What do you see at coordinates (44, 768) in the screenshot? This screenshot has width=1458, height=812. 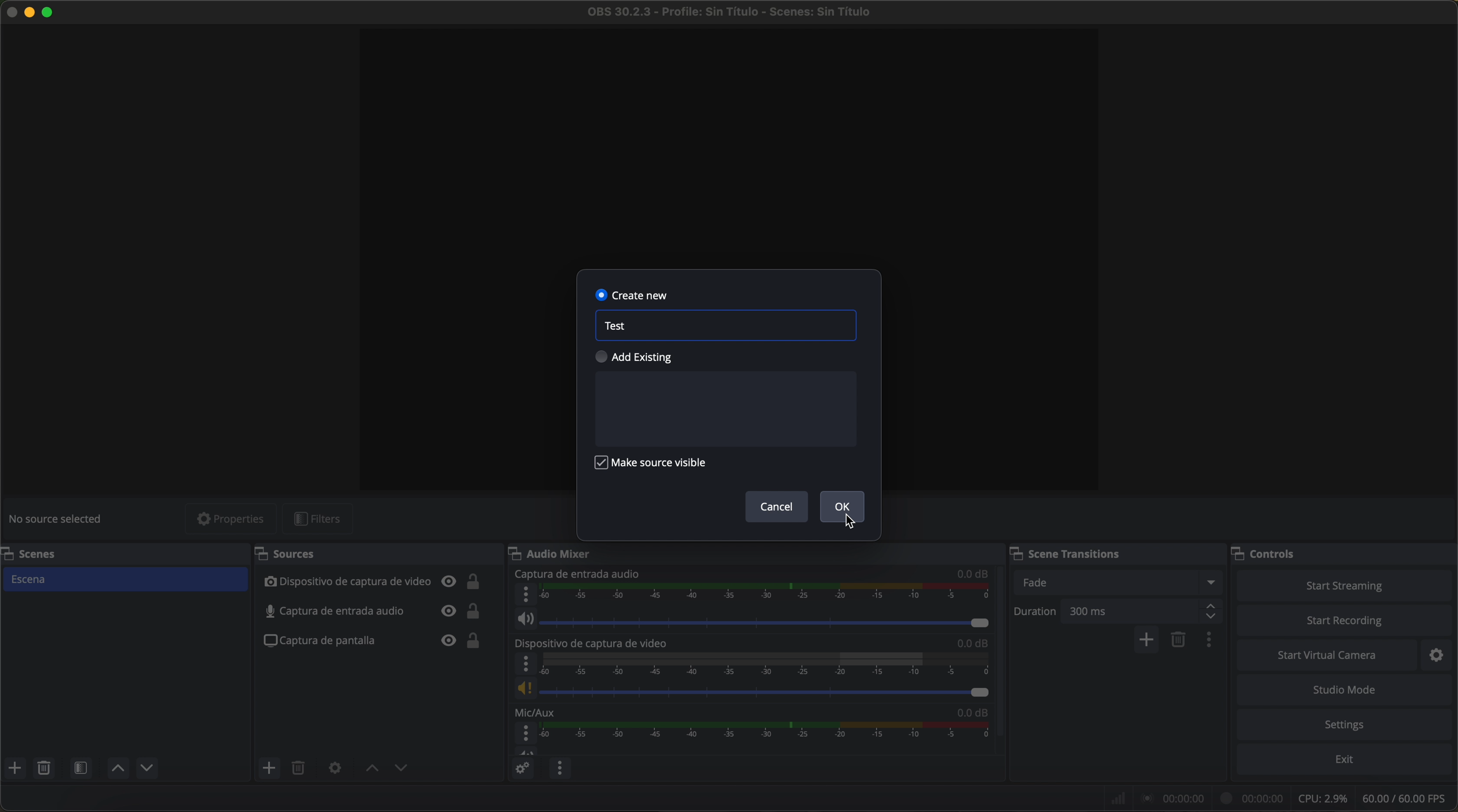 I see `remove selected scene` at bounding box center [44, 768].